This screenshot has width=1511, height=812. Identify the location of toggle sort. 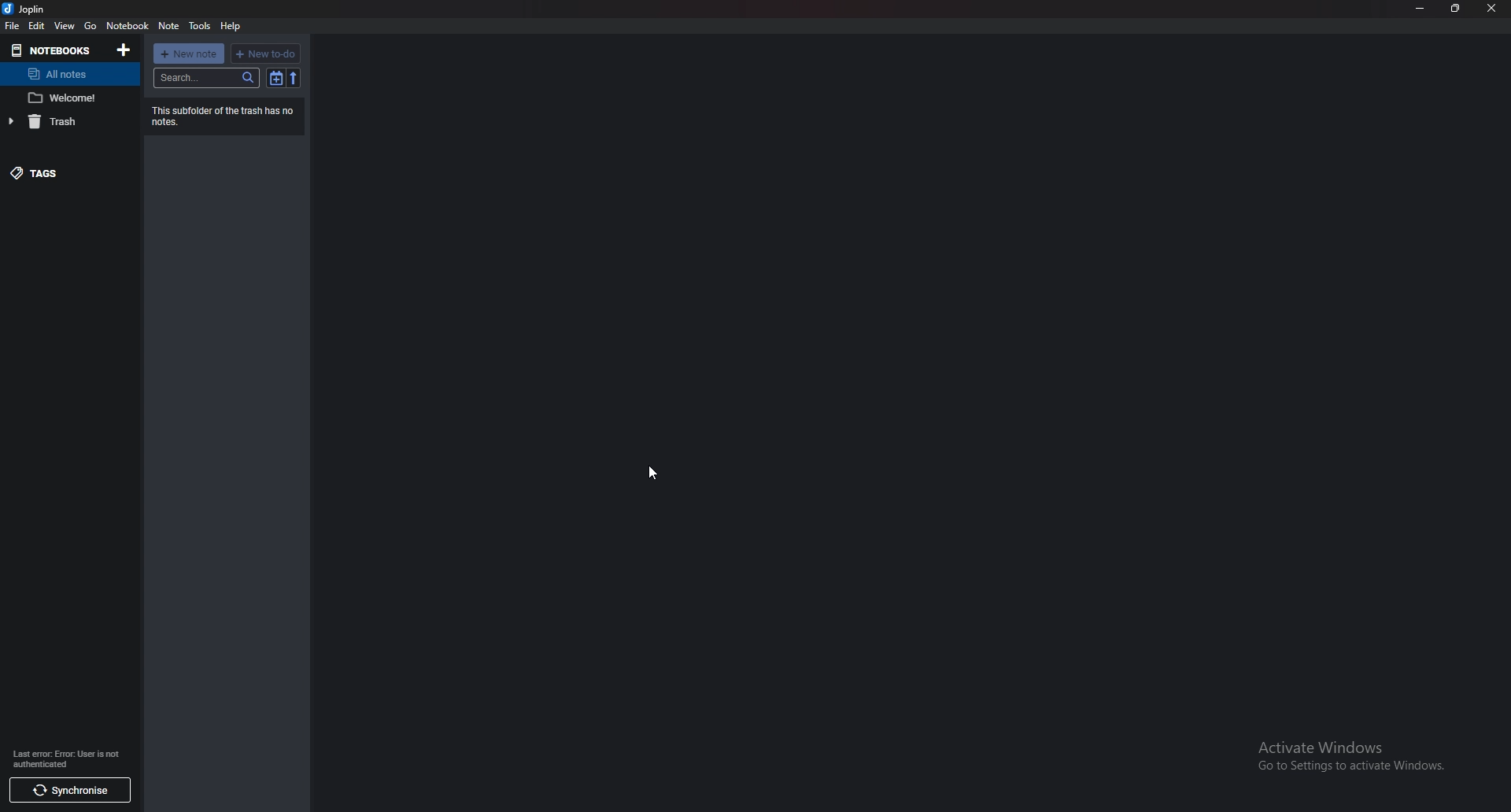
(276, 78).